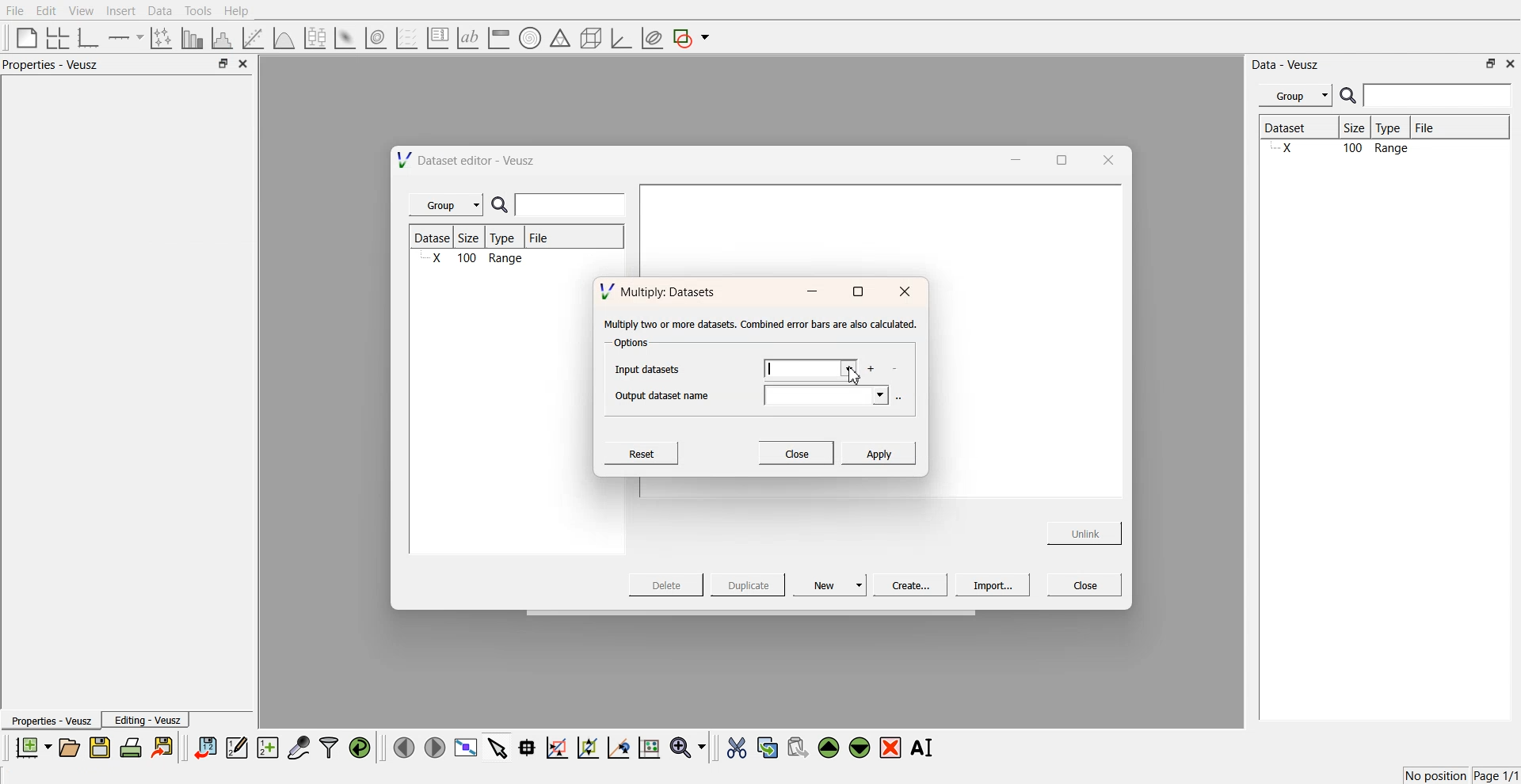  I want to click on Close, so click(1085, 584).